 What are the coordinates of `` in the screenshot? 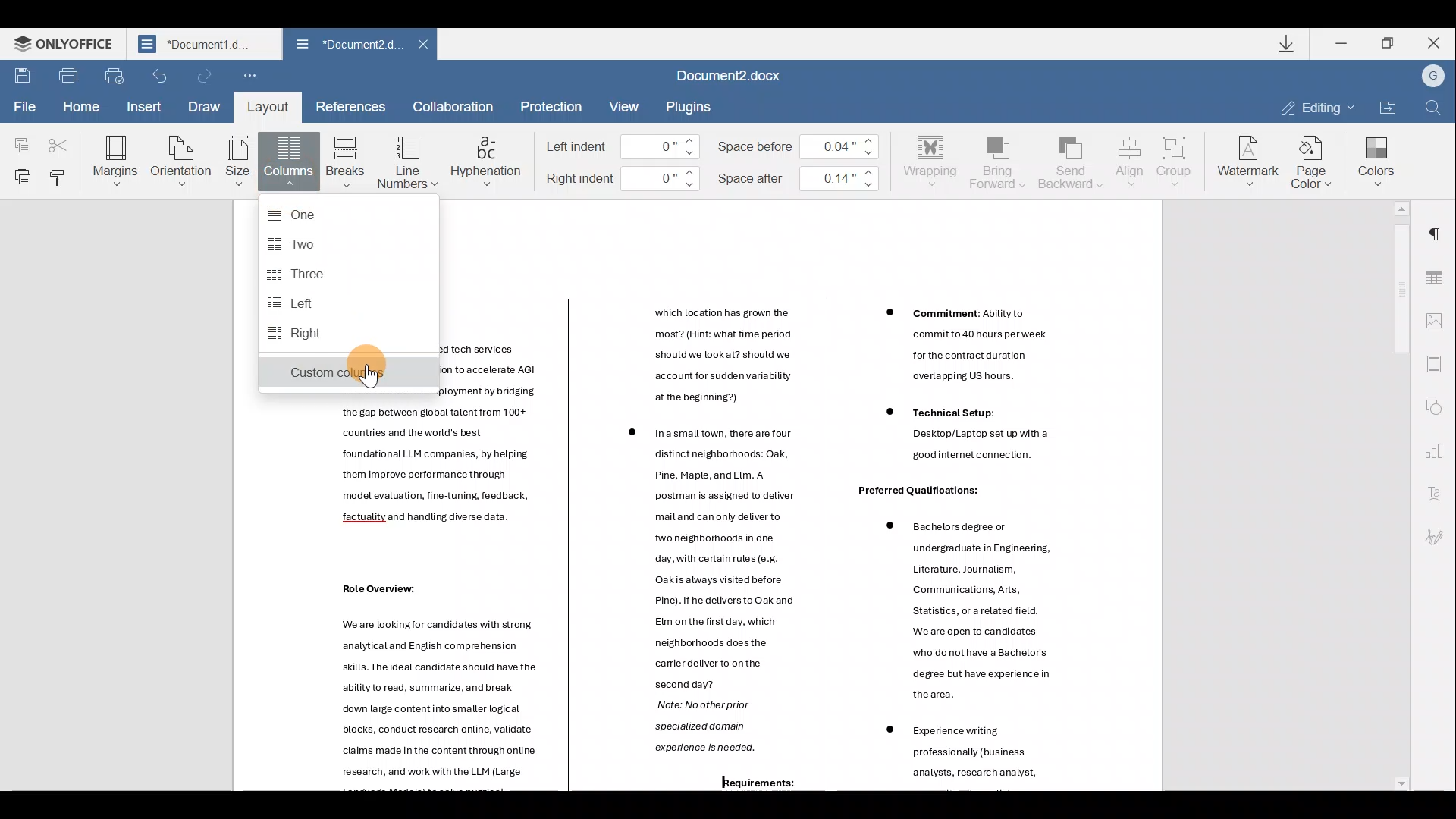 It's located at (957, 608).